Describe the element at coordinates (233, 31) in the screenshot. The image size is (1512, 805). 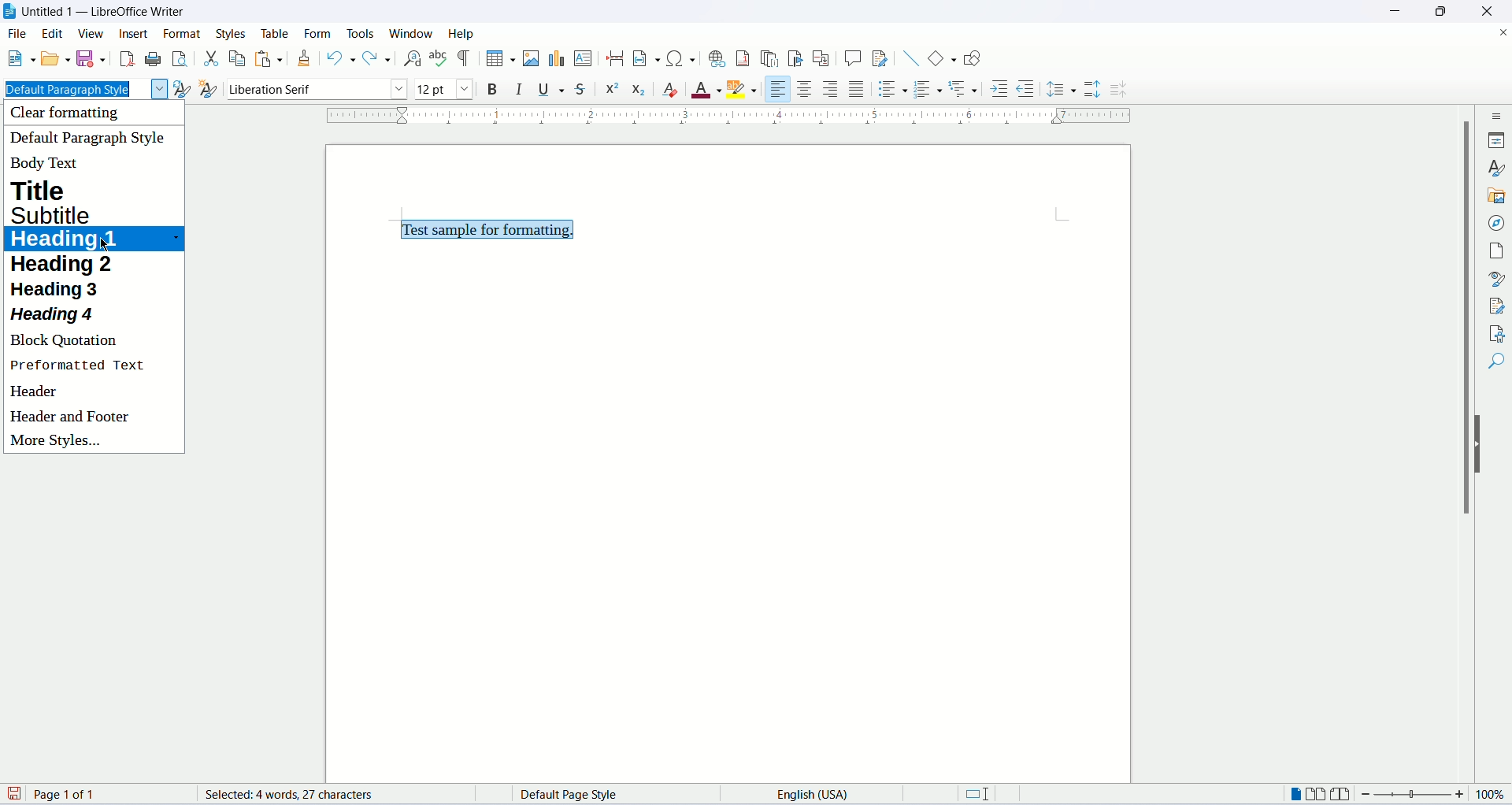
I see `styles` at that location.